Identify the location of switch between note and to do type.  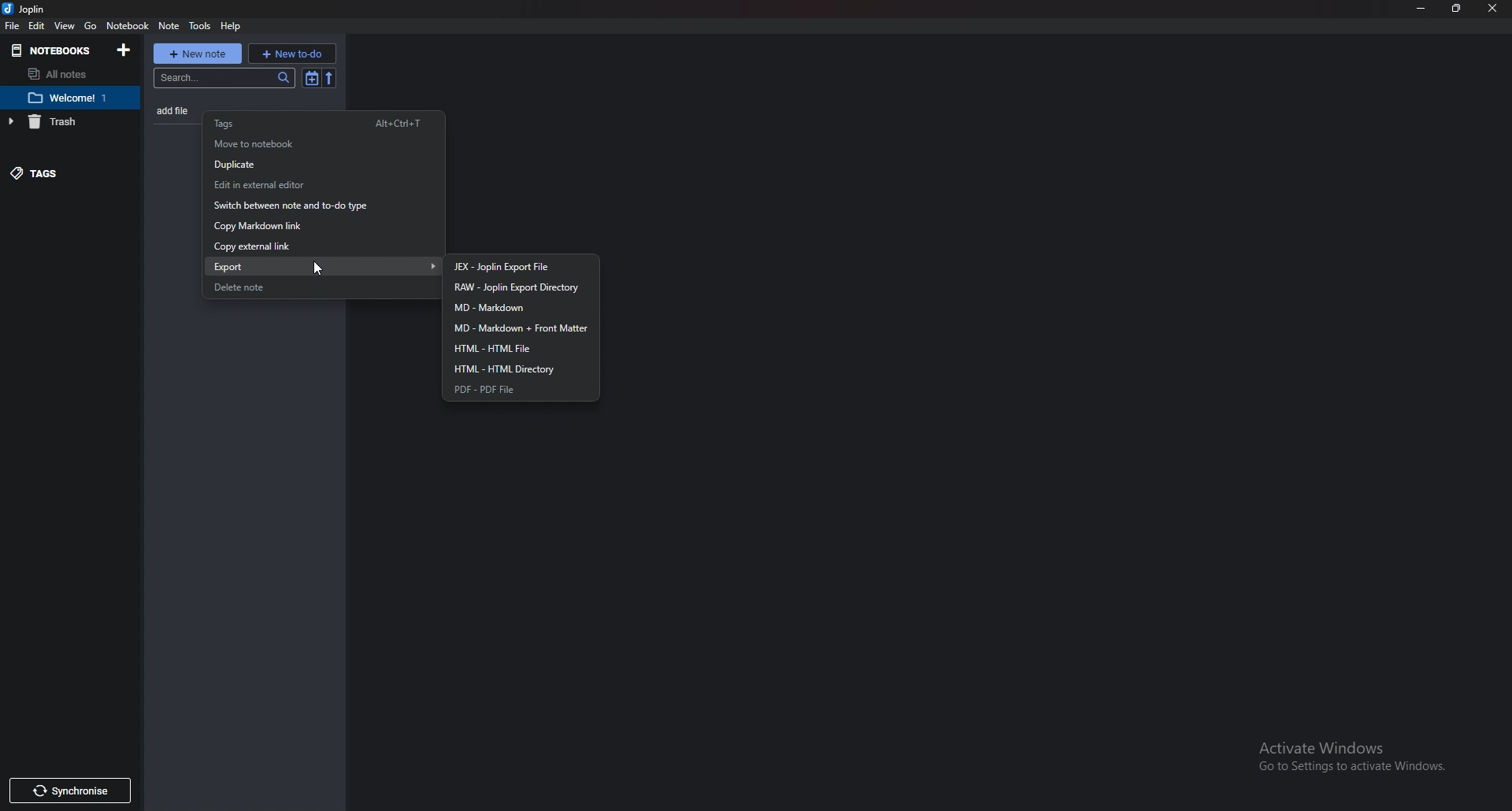
(313, 208).